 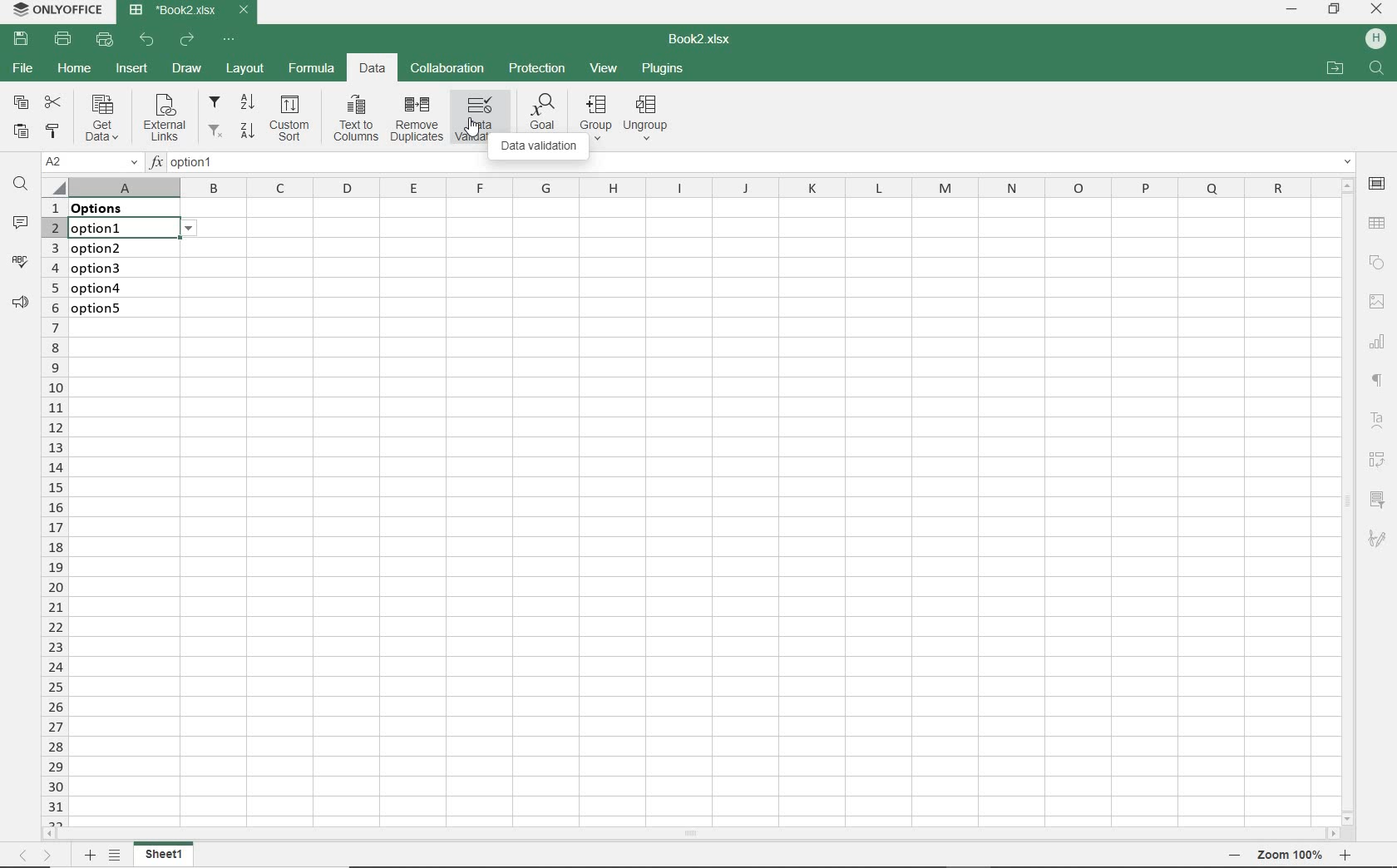 I want to click on CUT, so click(x=52, y=101).